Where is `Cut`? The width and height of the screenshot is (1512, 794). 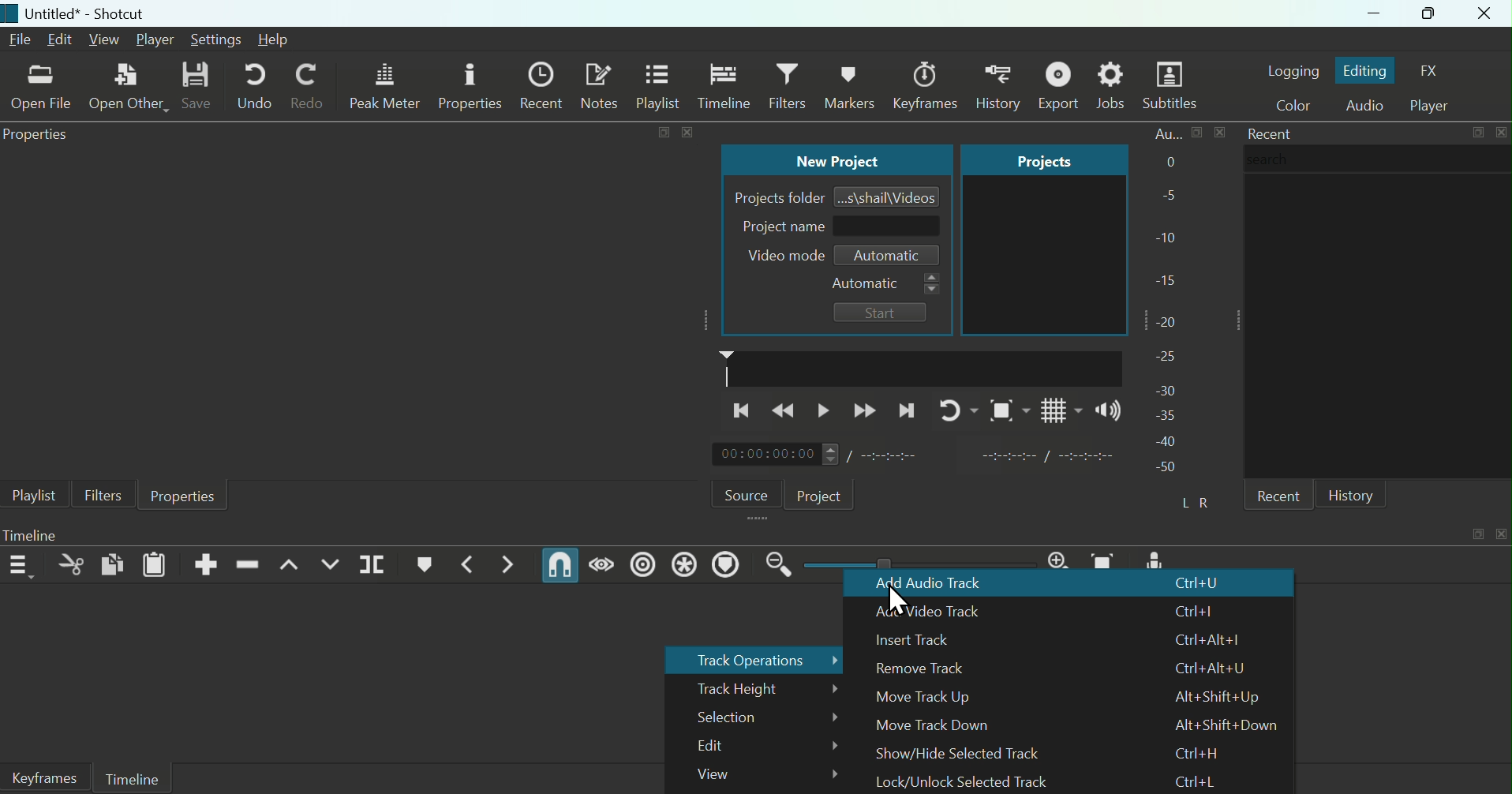 Cut is located at coordinates (67, 567).